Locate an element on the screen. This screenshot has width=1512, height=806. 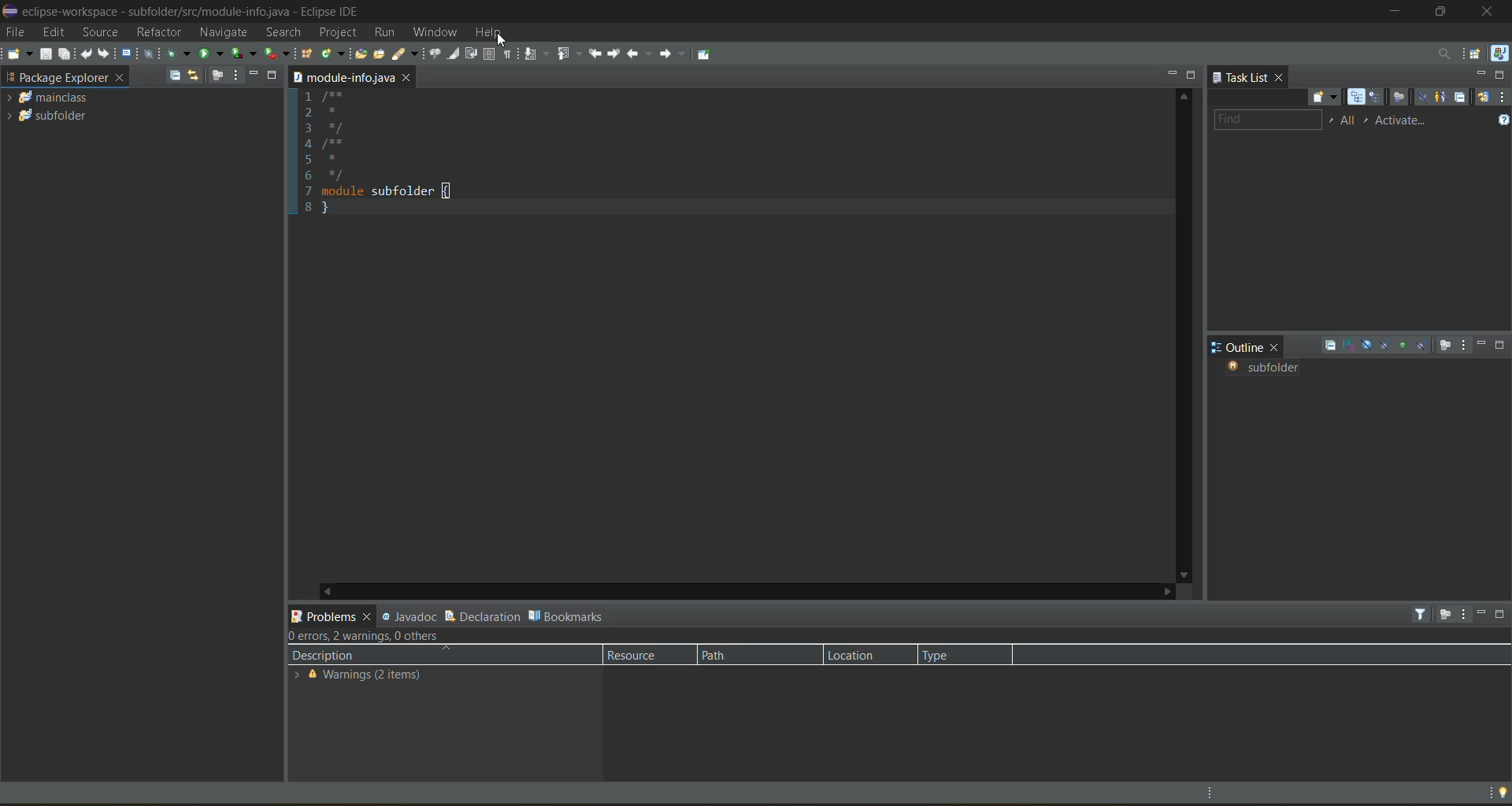
select working set is located at coordinates (1332, 122).